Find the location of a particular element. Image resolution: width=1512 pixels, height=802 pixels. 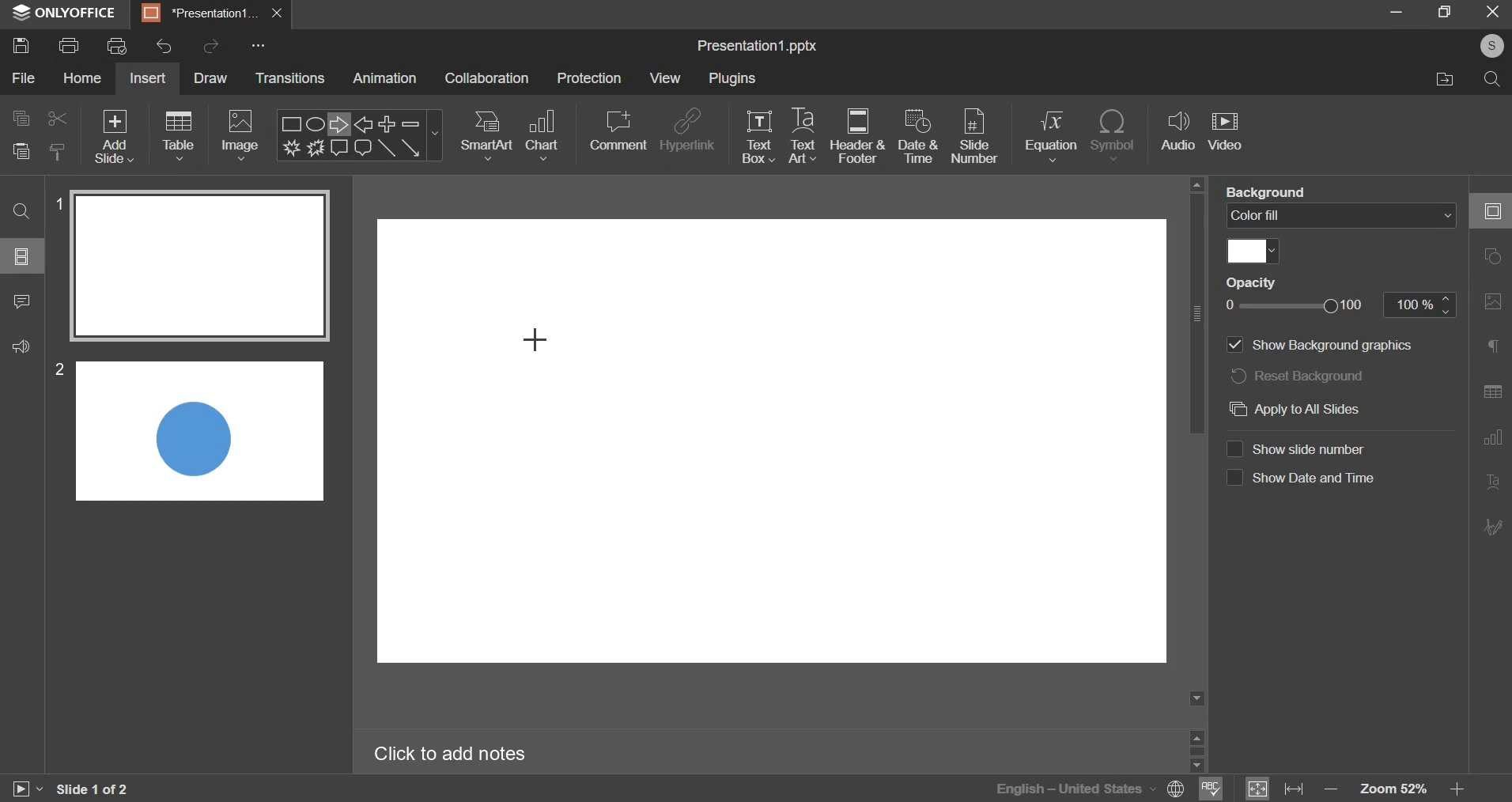

collaboration is located at coordinates (487, 78).